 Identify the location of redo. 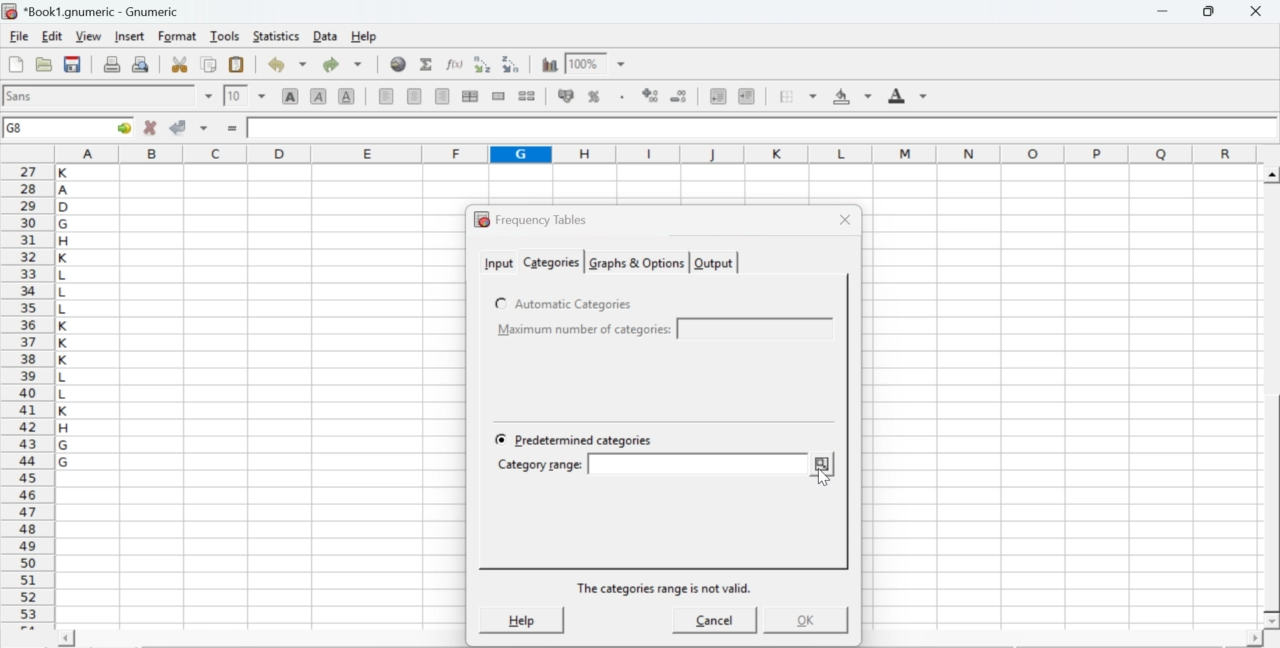
(342, 64).